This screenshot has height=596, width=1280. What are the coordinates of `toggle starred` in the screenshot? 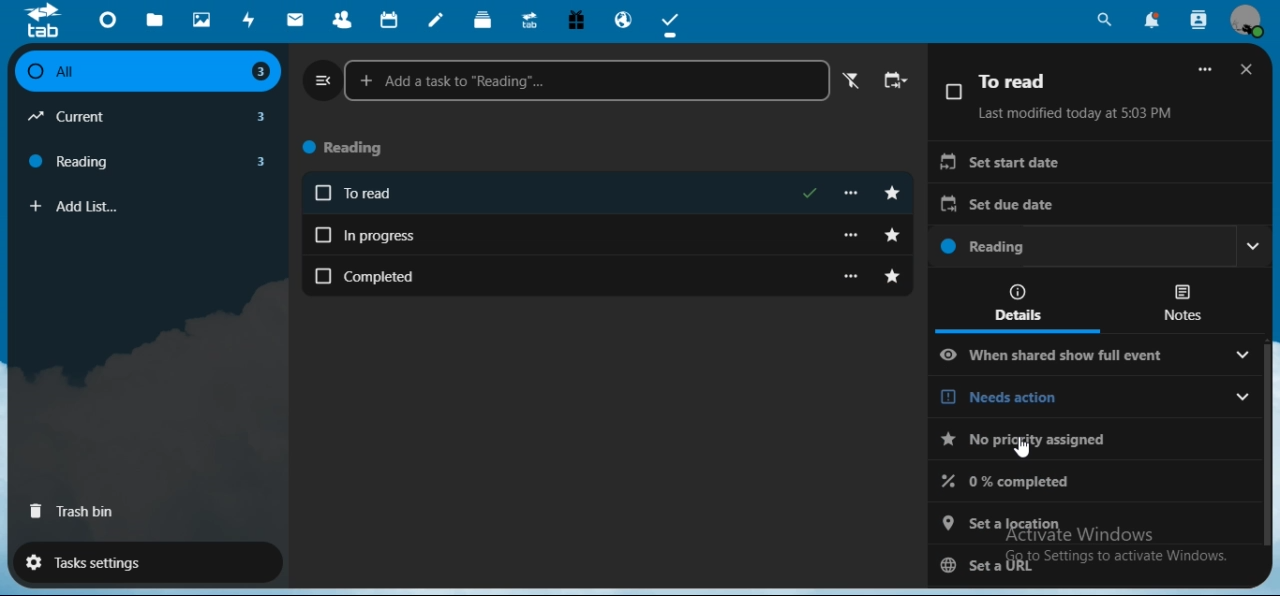 It's located at (897, 192).